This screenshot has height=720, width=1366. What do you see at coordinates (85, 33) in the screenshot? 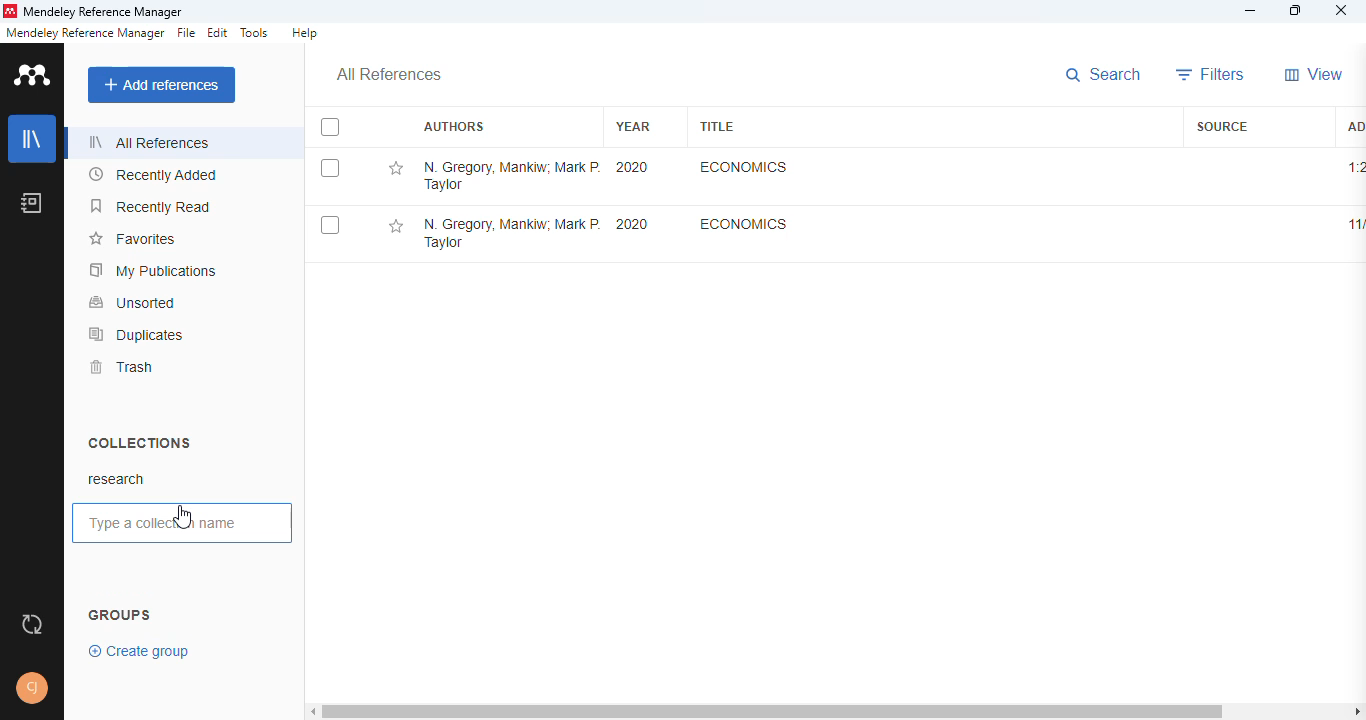
I see `mendeley reference manager` at bounding box center [85, 33].